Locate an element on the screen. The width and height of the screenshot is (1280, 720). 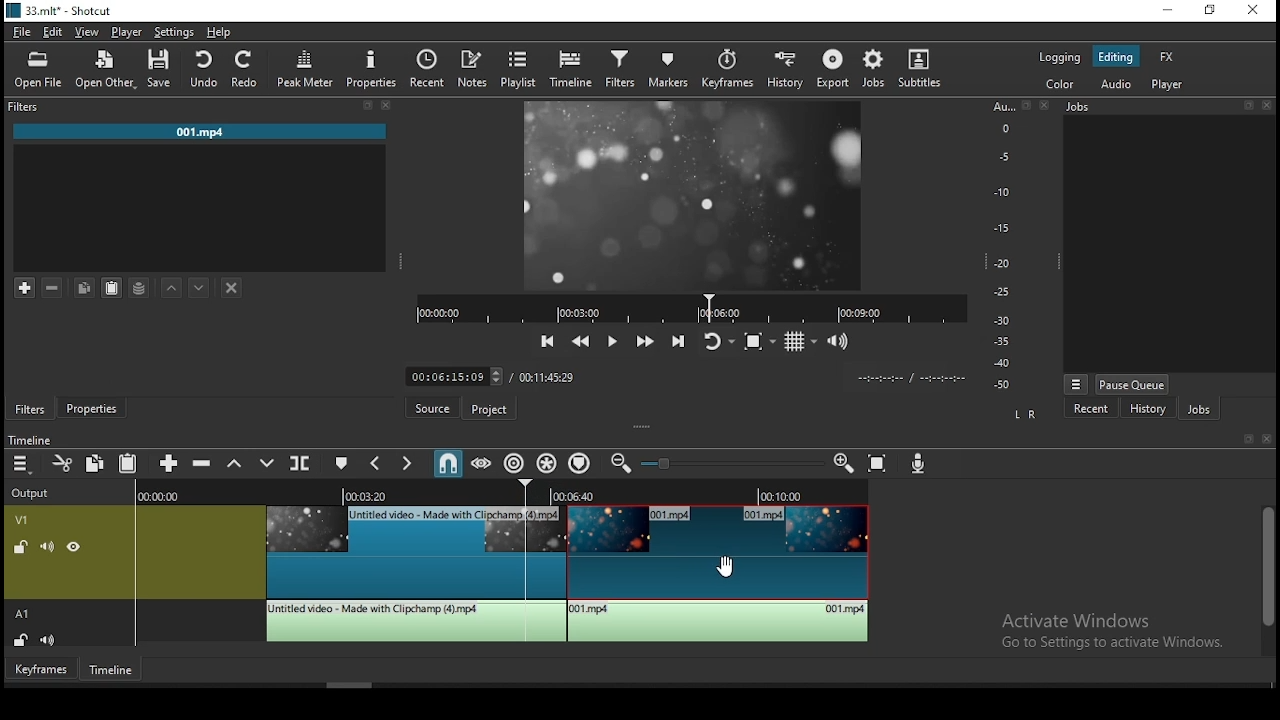
editing is located at coordinates (1122, 57).